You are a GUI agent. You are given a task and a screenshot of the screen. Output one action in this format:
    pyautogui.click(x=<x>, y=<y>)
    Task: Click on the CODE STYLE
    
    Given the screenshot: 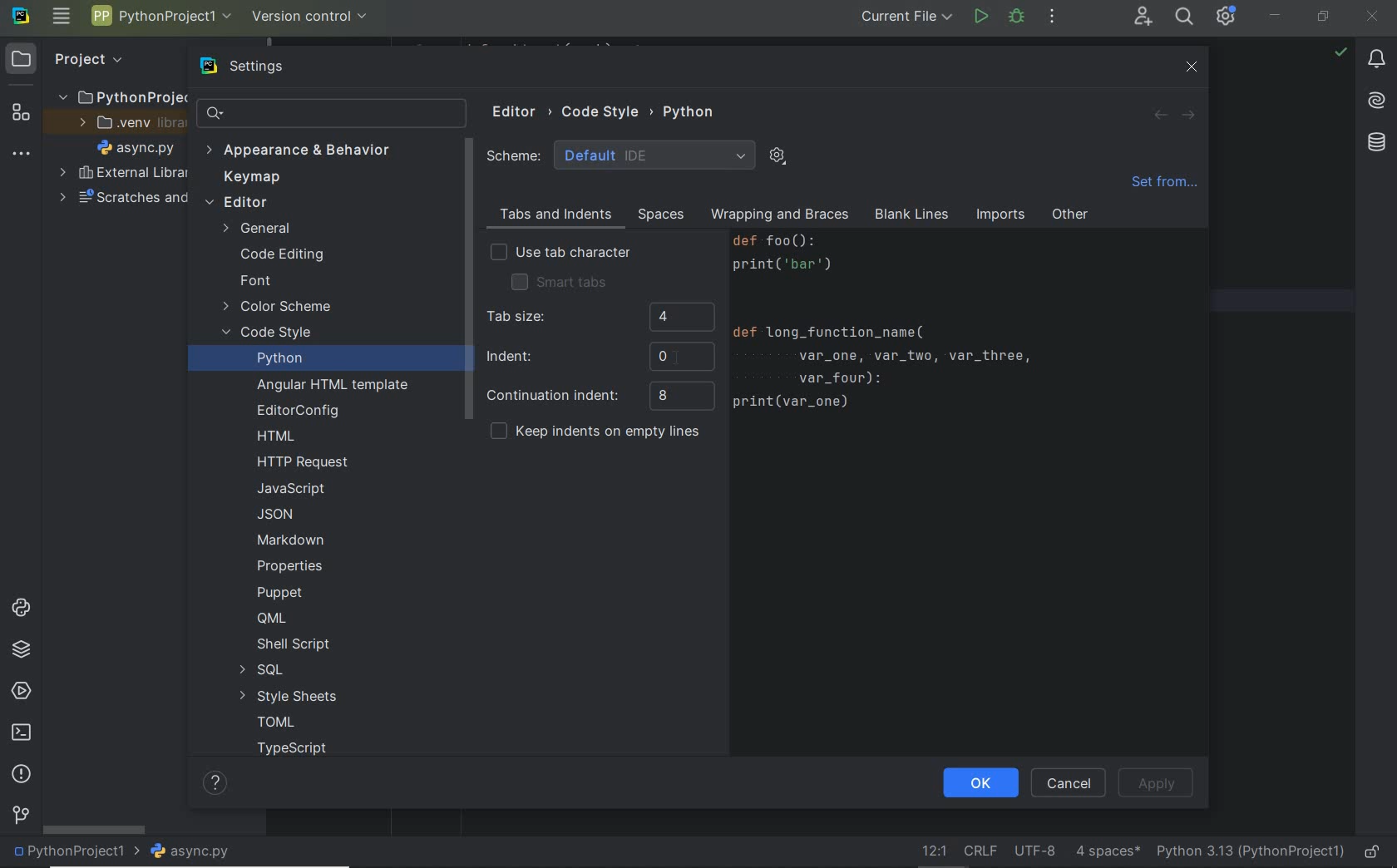 What is the action you would take?
    pyautogui.click(x=608, y=110)
    